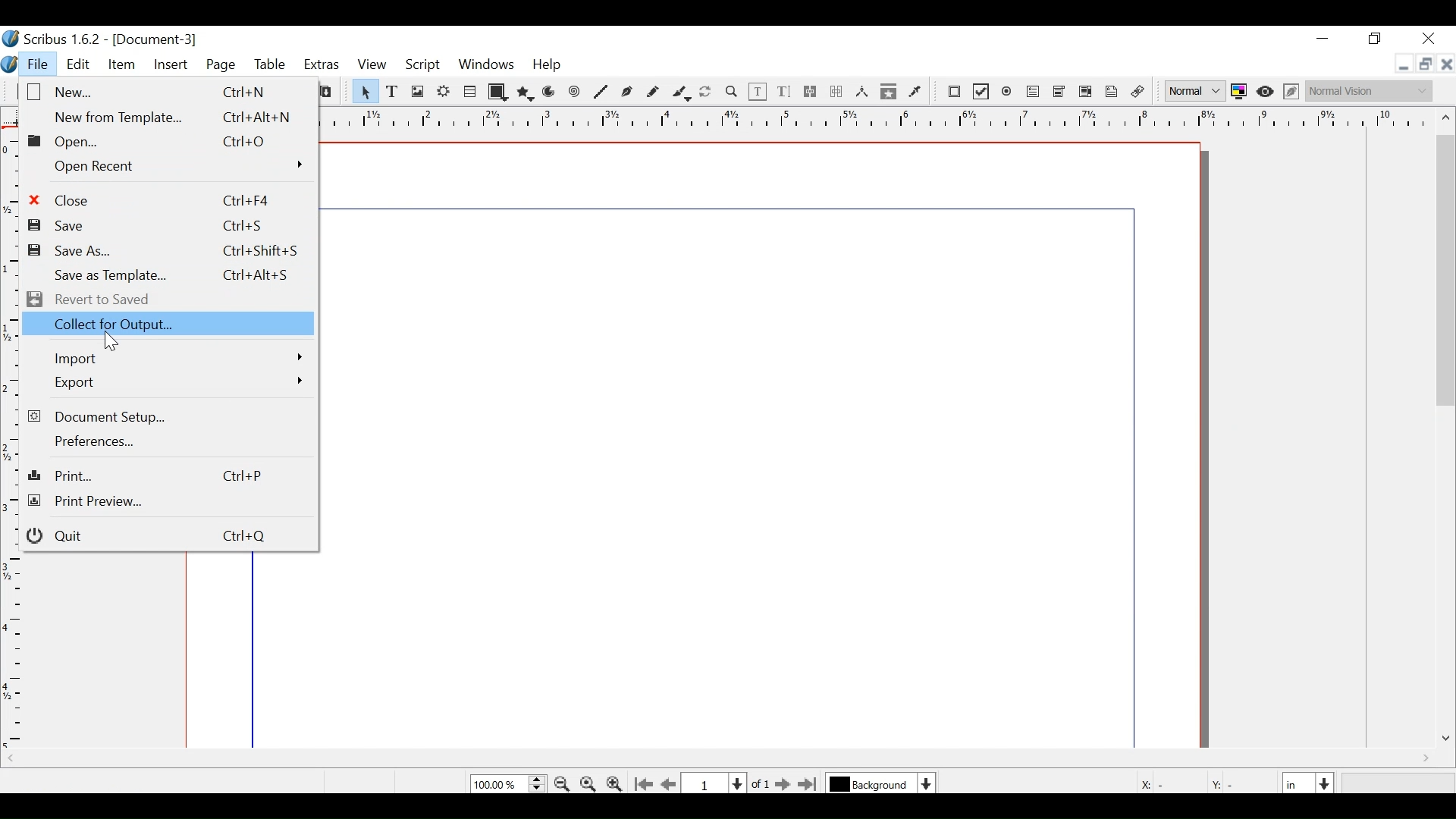  What do you see at coordinates (670, 784) in the screenshot?
I see `Go to previous page` at bounding box center [670, 784].